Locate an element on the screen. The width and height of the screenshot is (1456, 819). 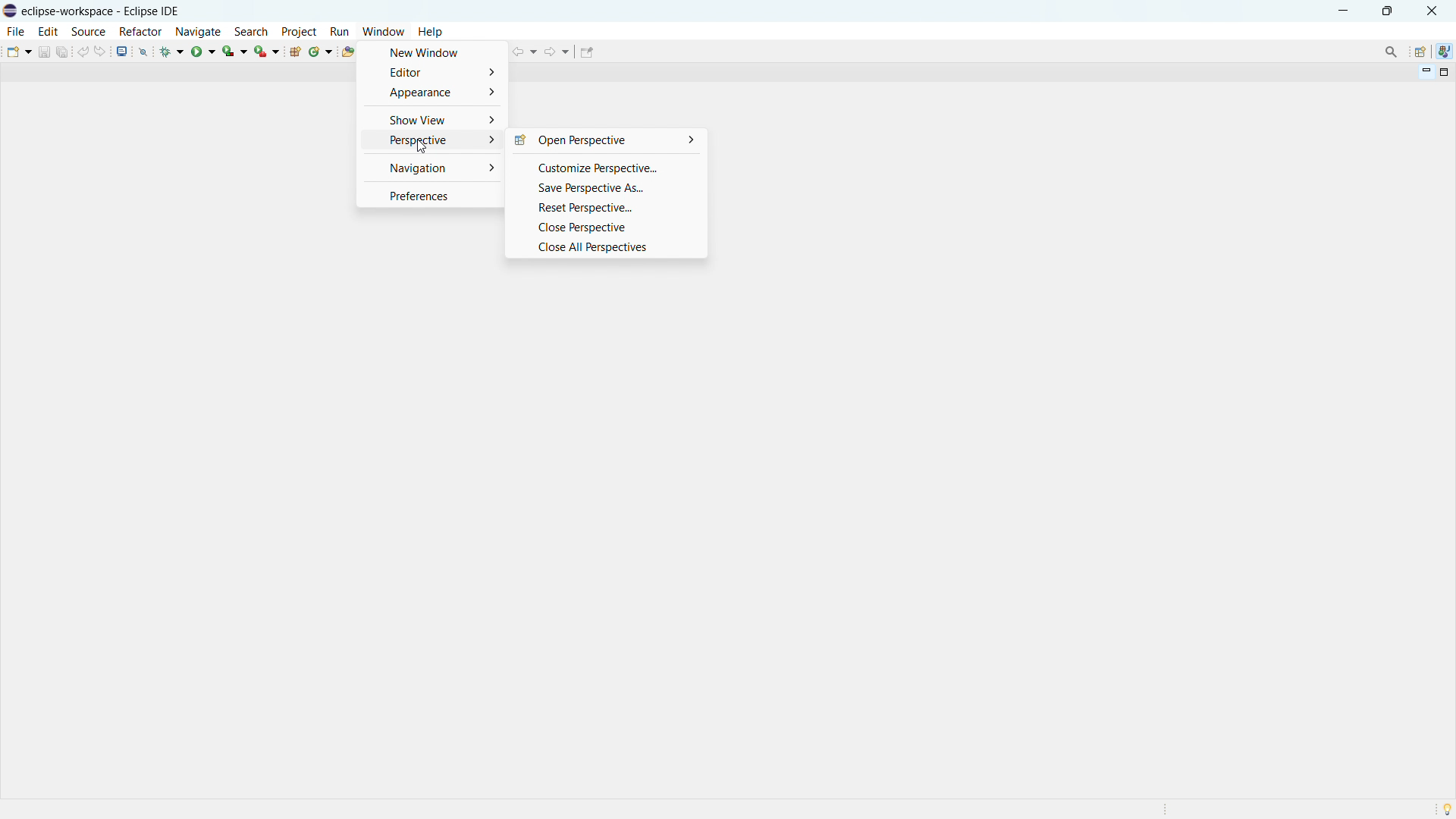
access command and other items is located at coordinates (1391, 51).